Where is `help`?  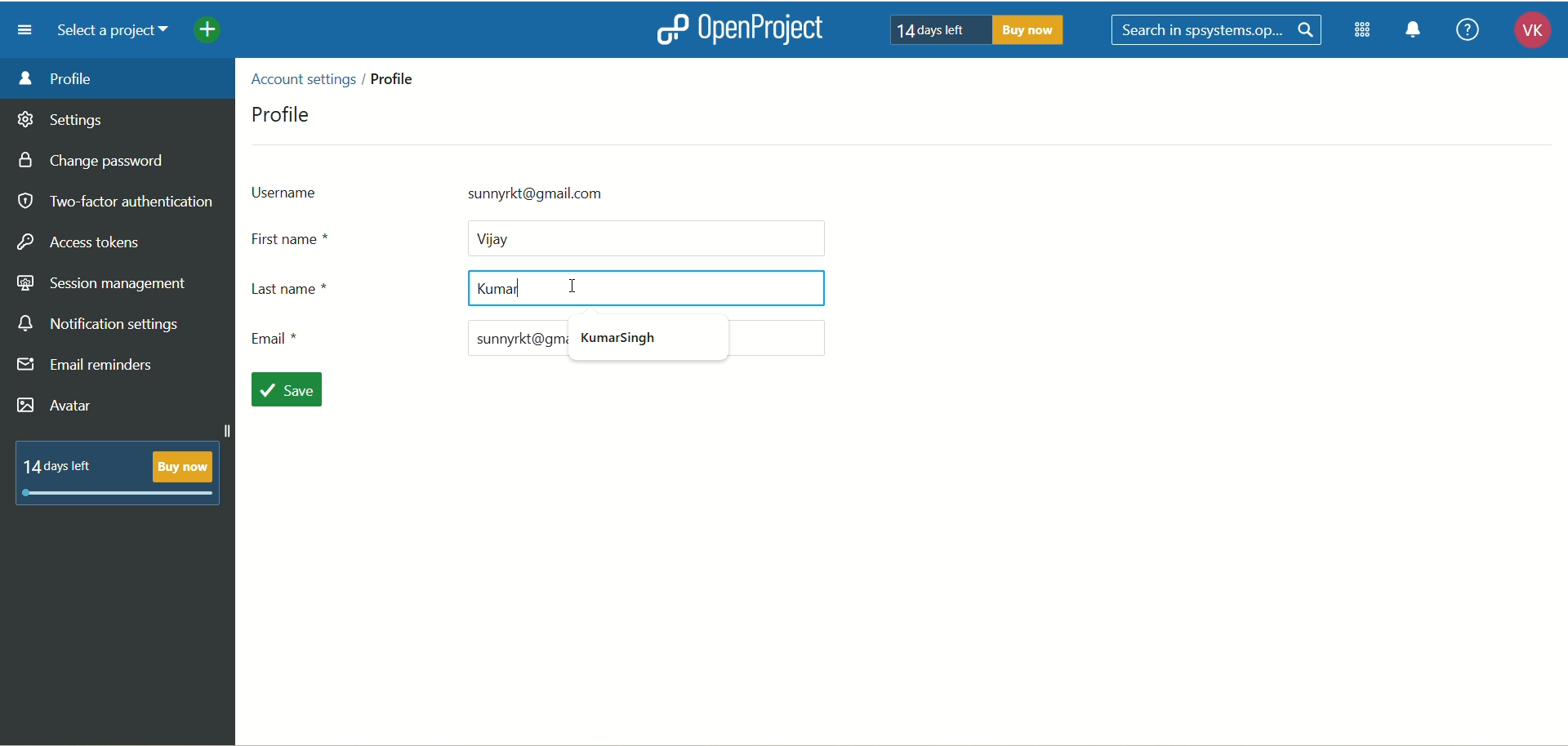 help is located at coordinates (1467, 29).